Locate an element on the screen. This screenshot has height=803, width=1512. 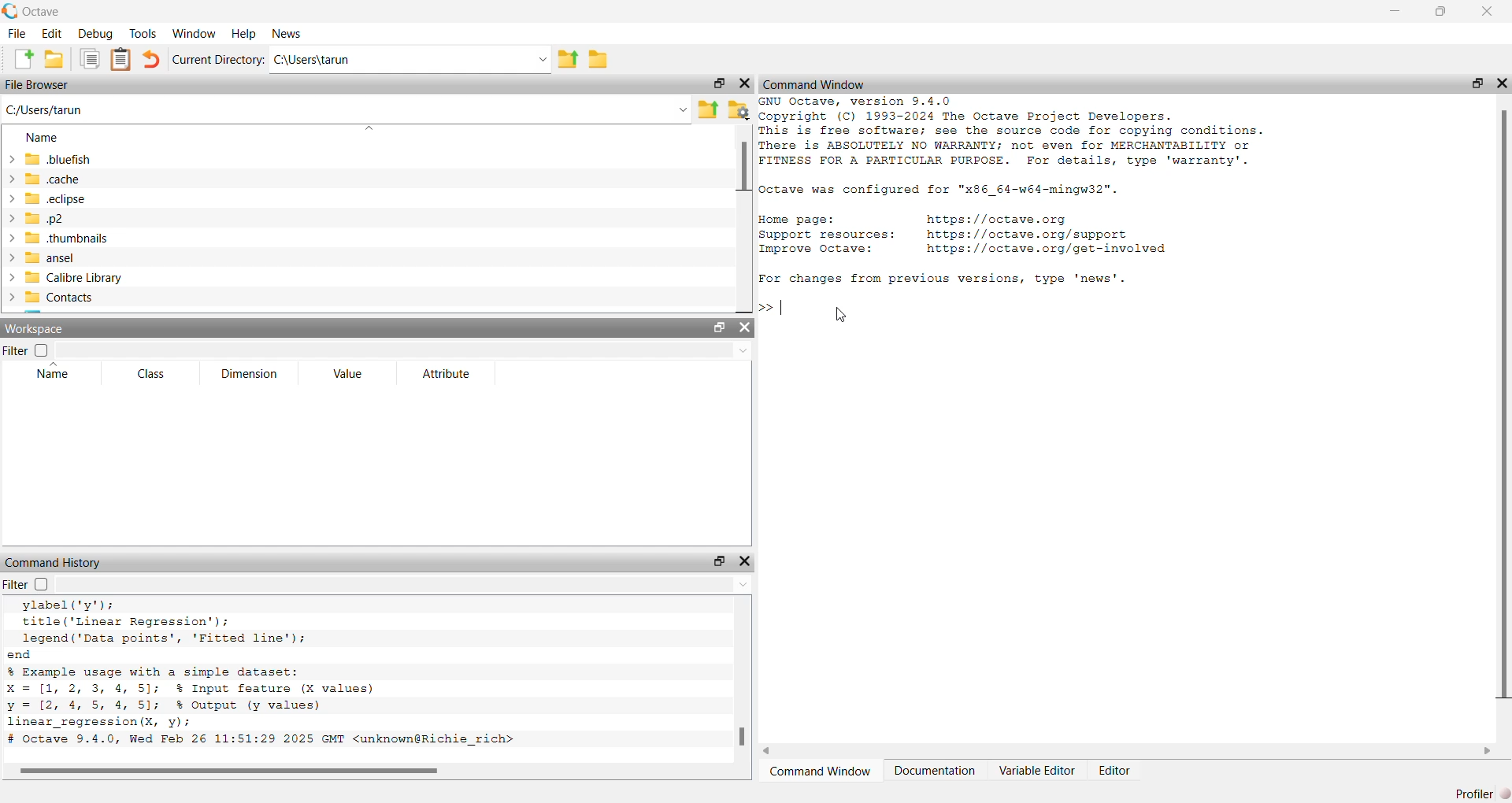
filter input field is located at coordinates (406, 587).